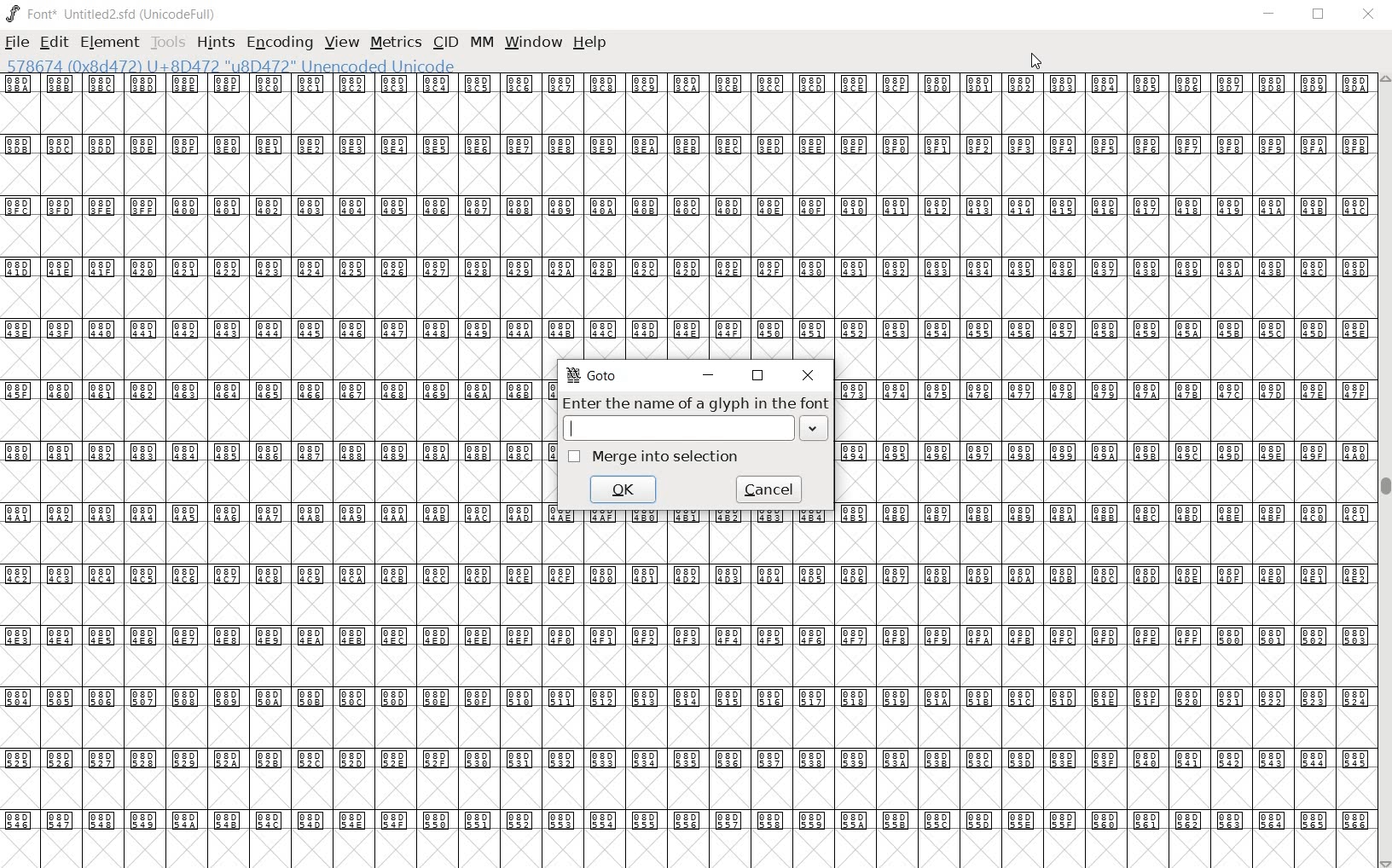 Image resolution: width=1392 pixels, height=868 pixels. I want to click on cid, so click(444, 42).